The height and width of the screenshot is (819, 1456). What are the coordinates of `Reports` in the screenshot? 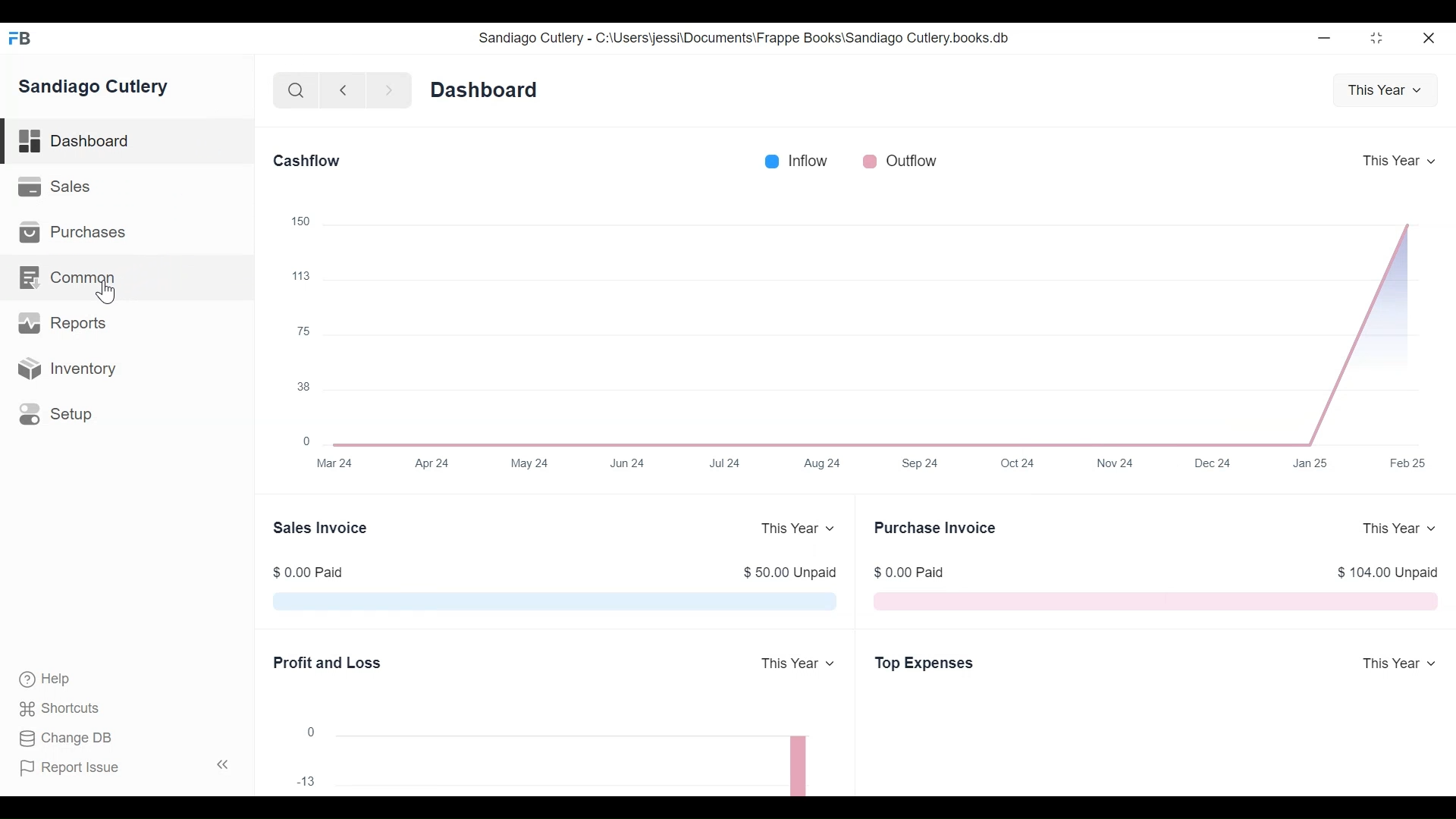 It's located at (62, 322).